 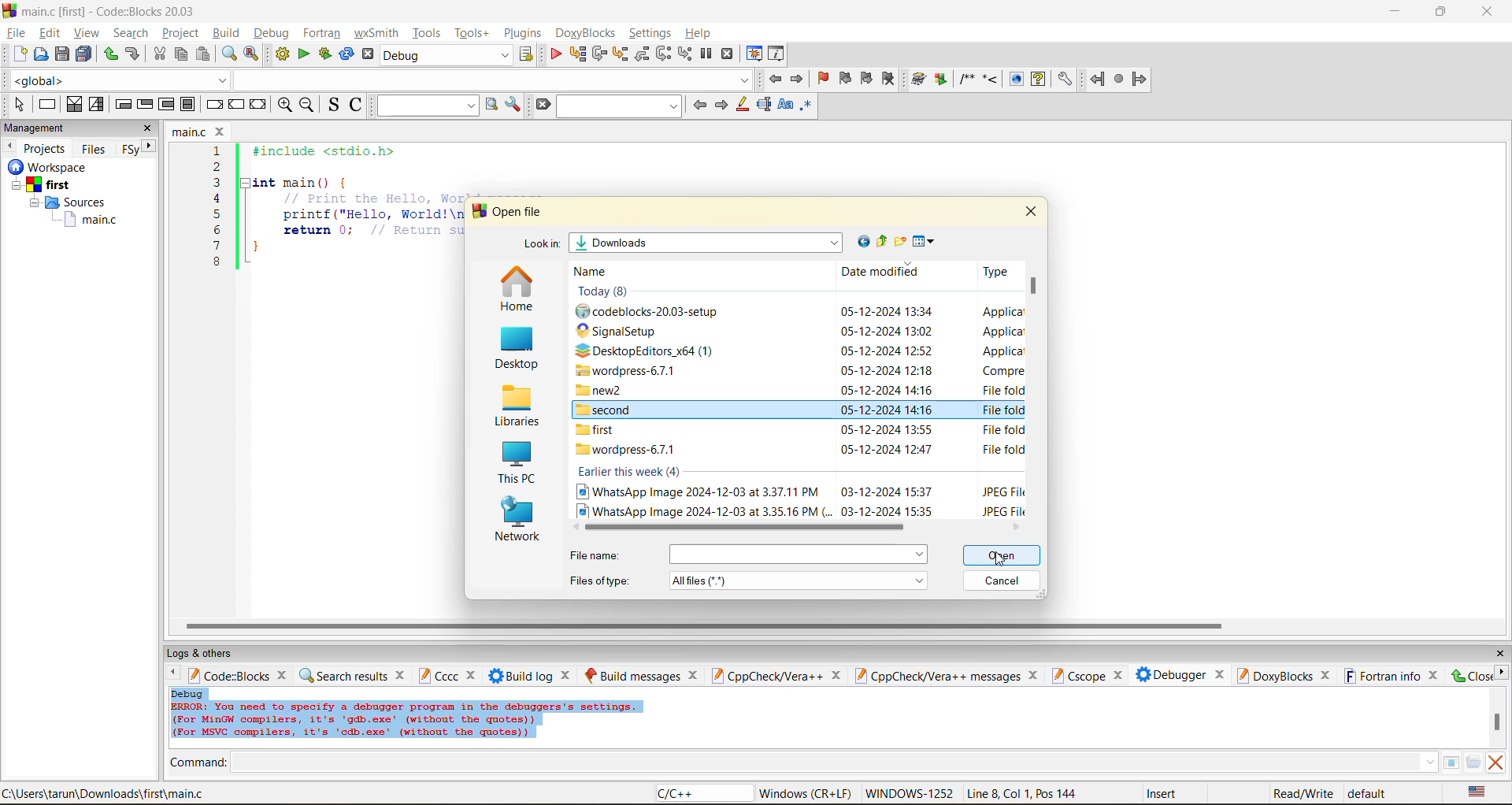 I want to click on first project, so click(x=43, y=185).